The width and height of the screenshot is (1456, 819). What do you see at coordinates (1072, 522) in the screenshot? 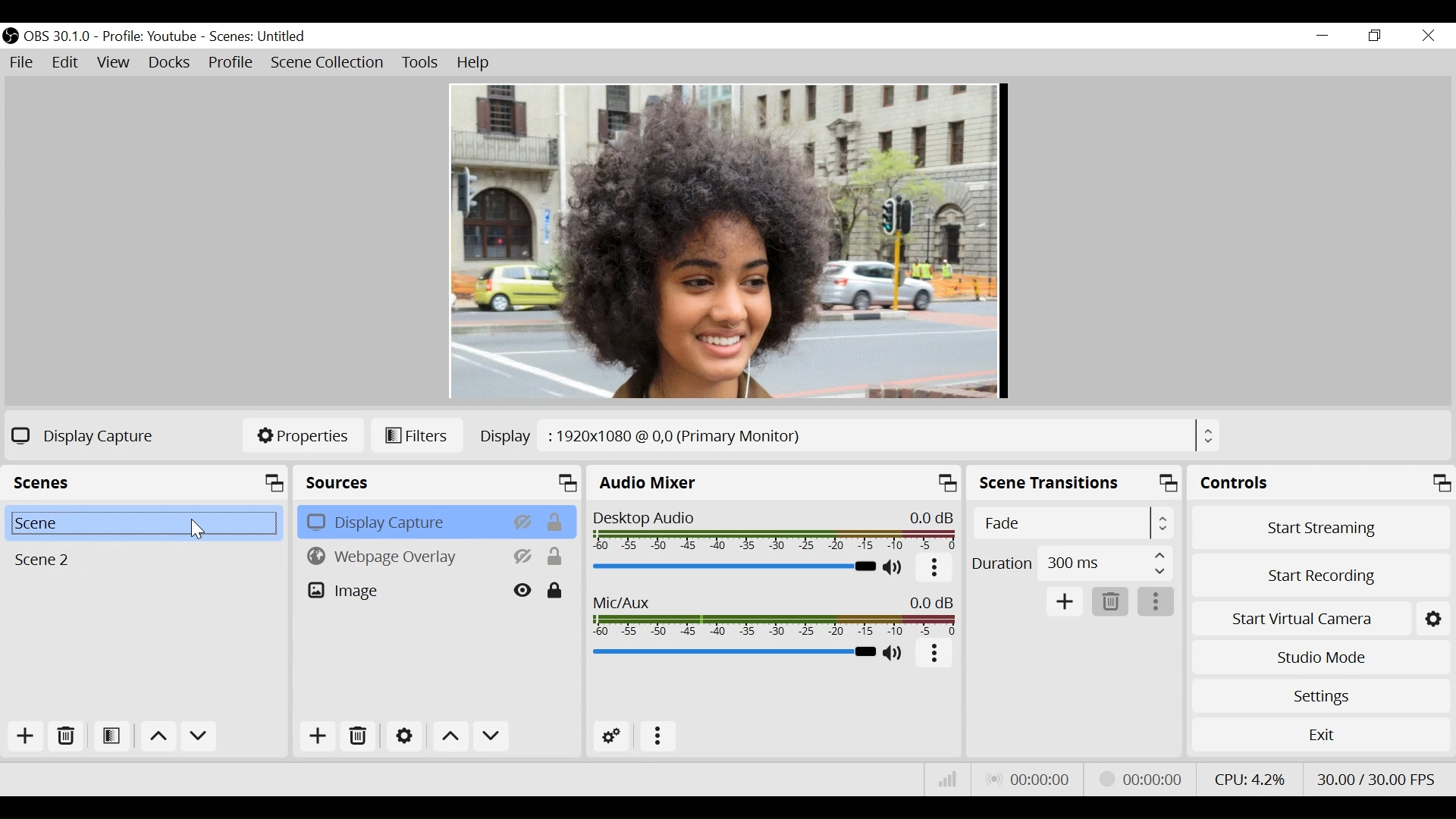
I see `Select Scene Transitions ` at bounding box center [1072, 522].